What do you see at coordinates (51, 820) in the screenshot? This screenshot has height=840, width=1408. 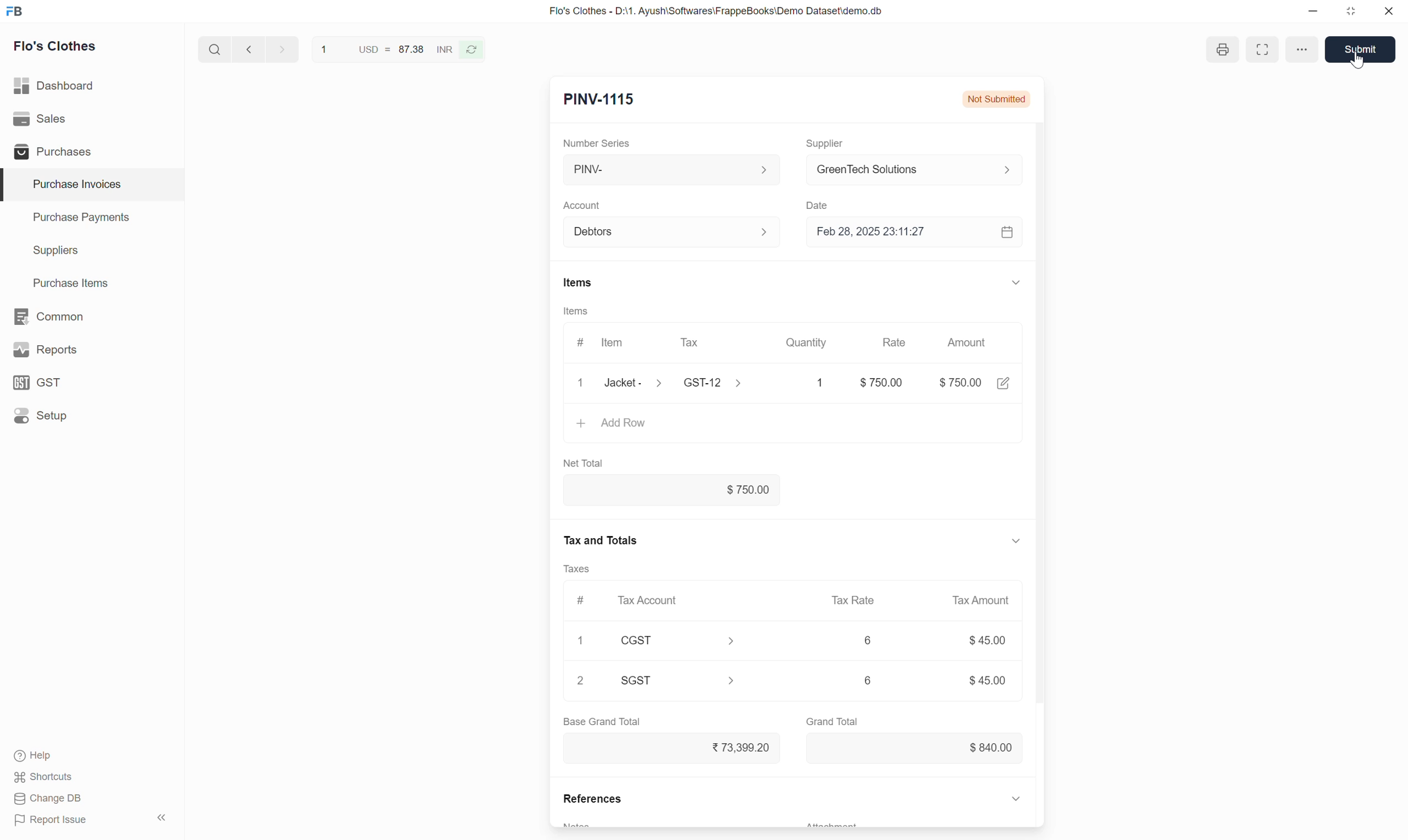 I see `Report Issue` at bounding box center [51, 820].